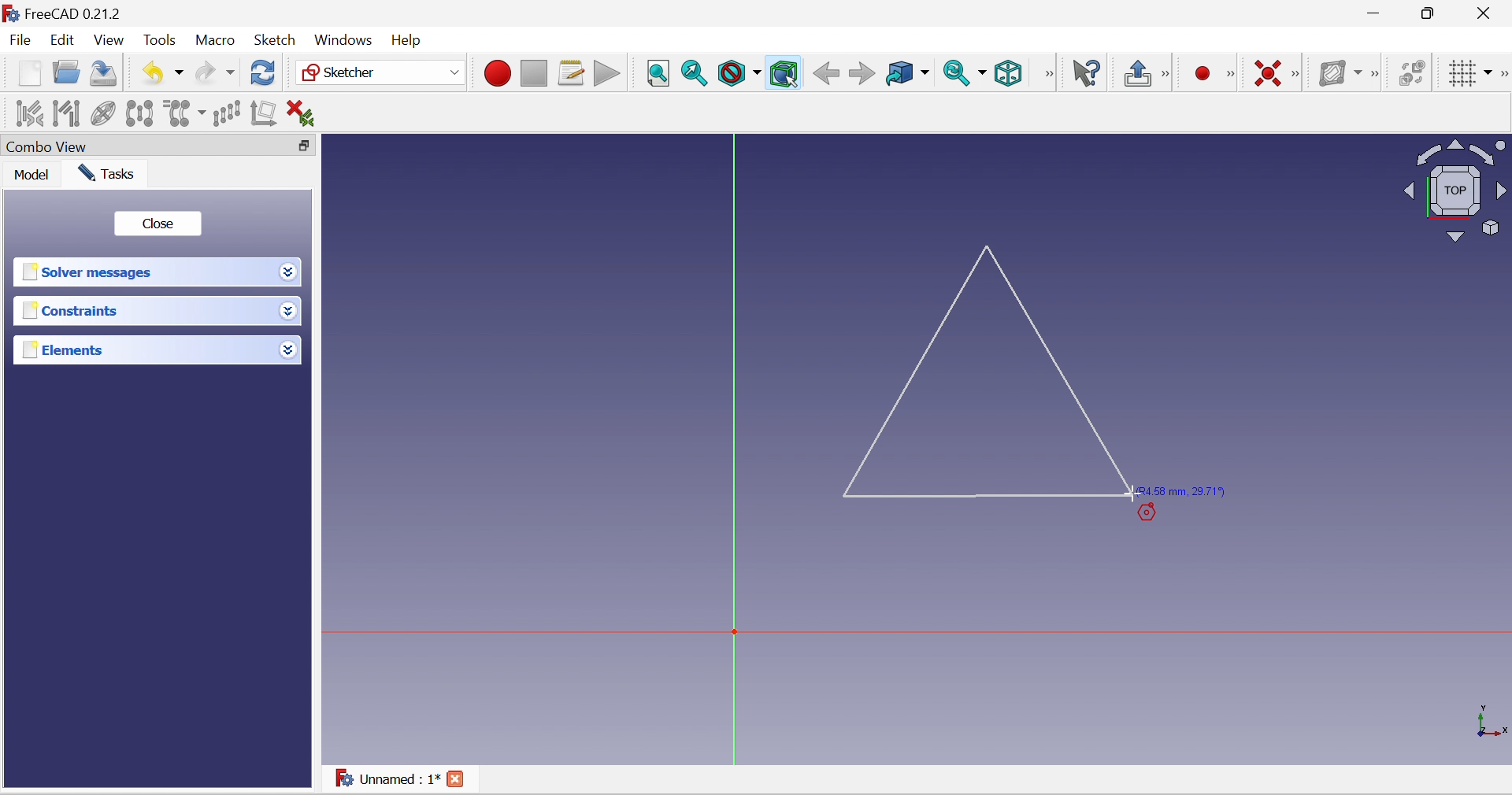  What do you see at coordinates (184, 115) in the screenshot?
I see `Clone` at bounding box center [184, 115].